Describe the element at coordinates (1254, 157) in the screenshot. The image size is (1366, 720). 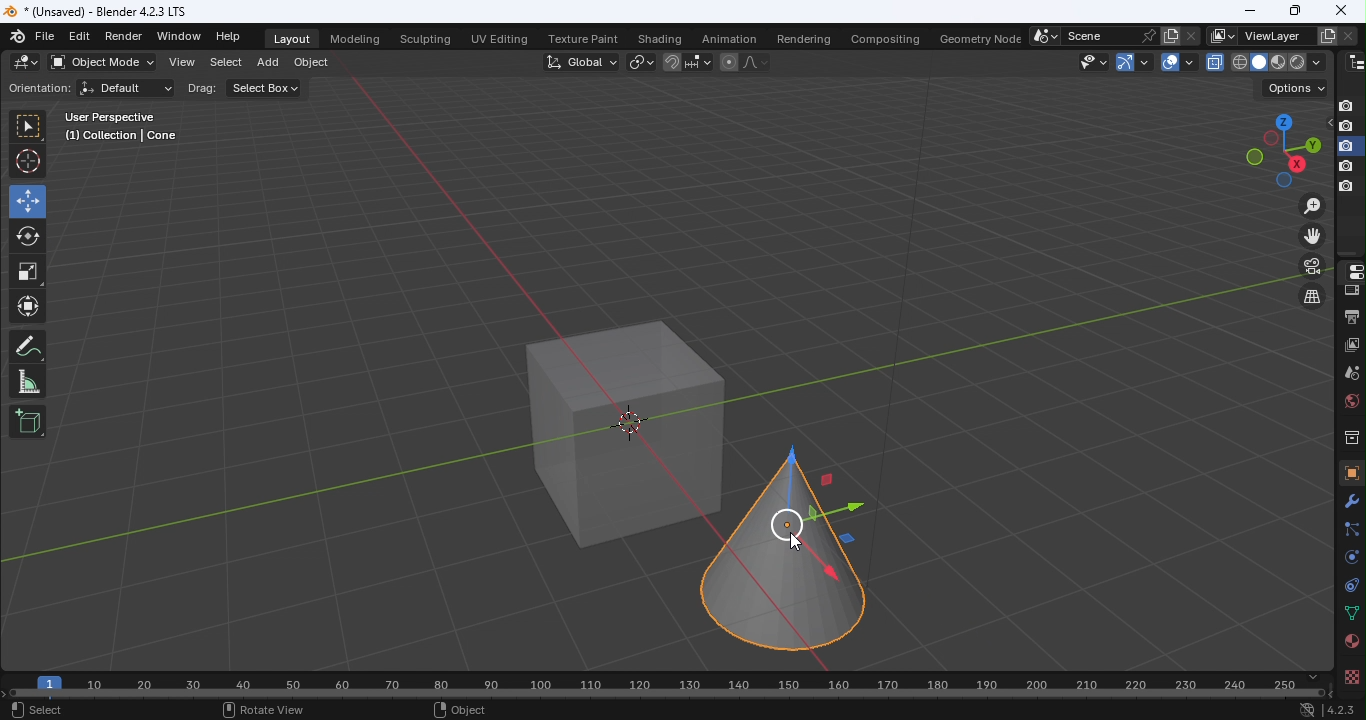
I see `Rotate the view` at that location.